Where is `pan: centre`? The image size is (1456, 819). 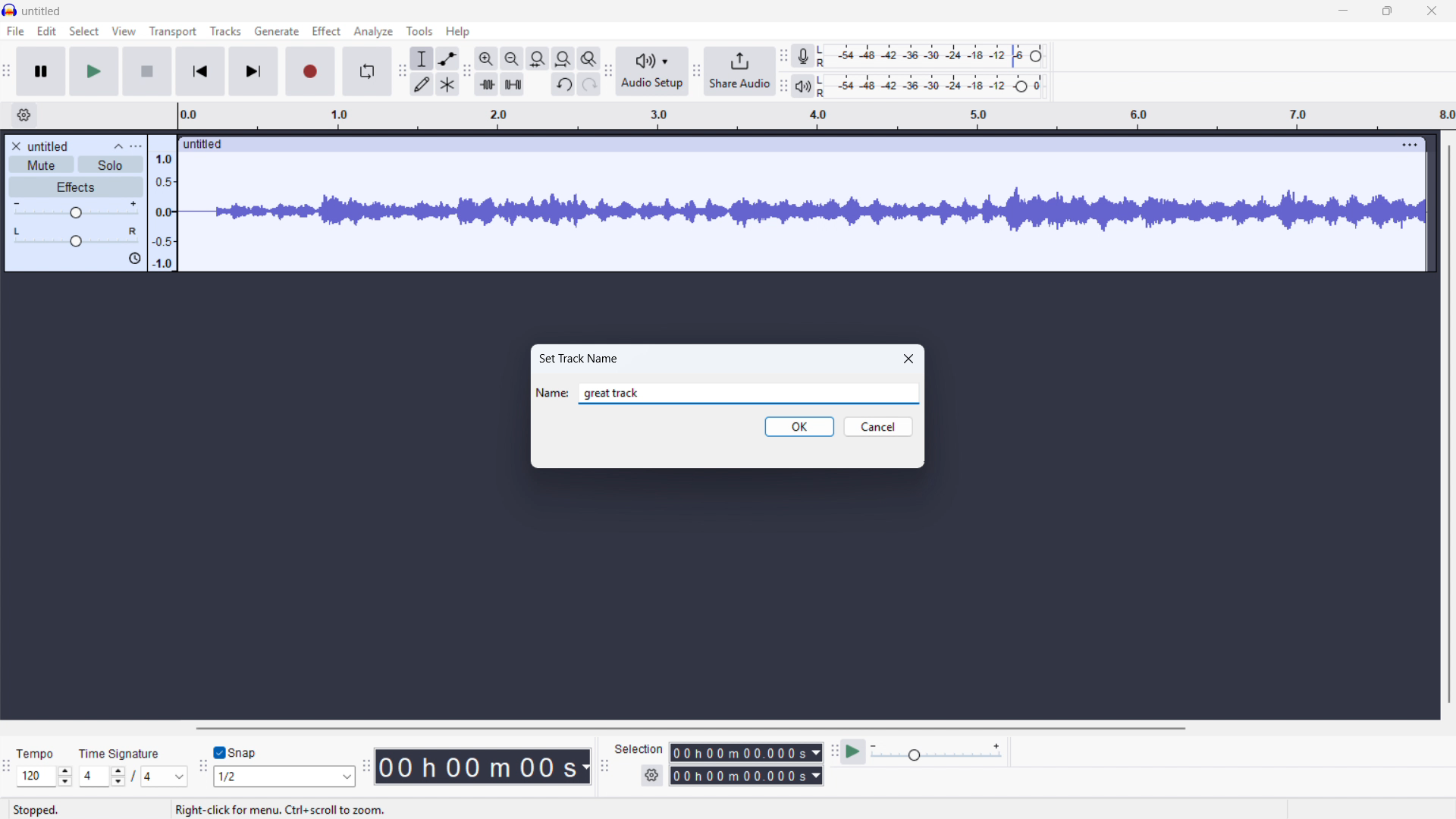
pan: centre is located at coordinates (77, 237).